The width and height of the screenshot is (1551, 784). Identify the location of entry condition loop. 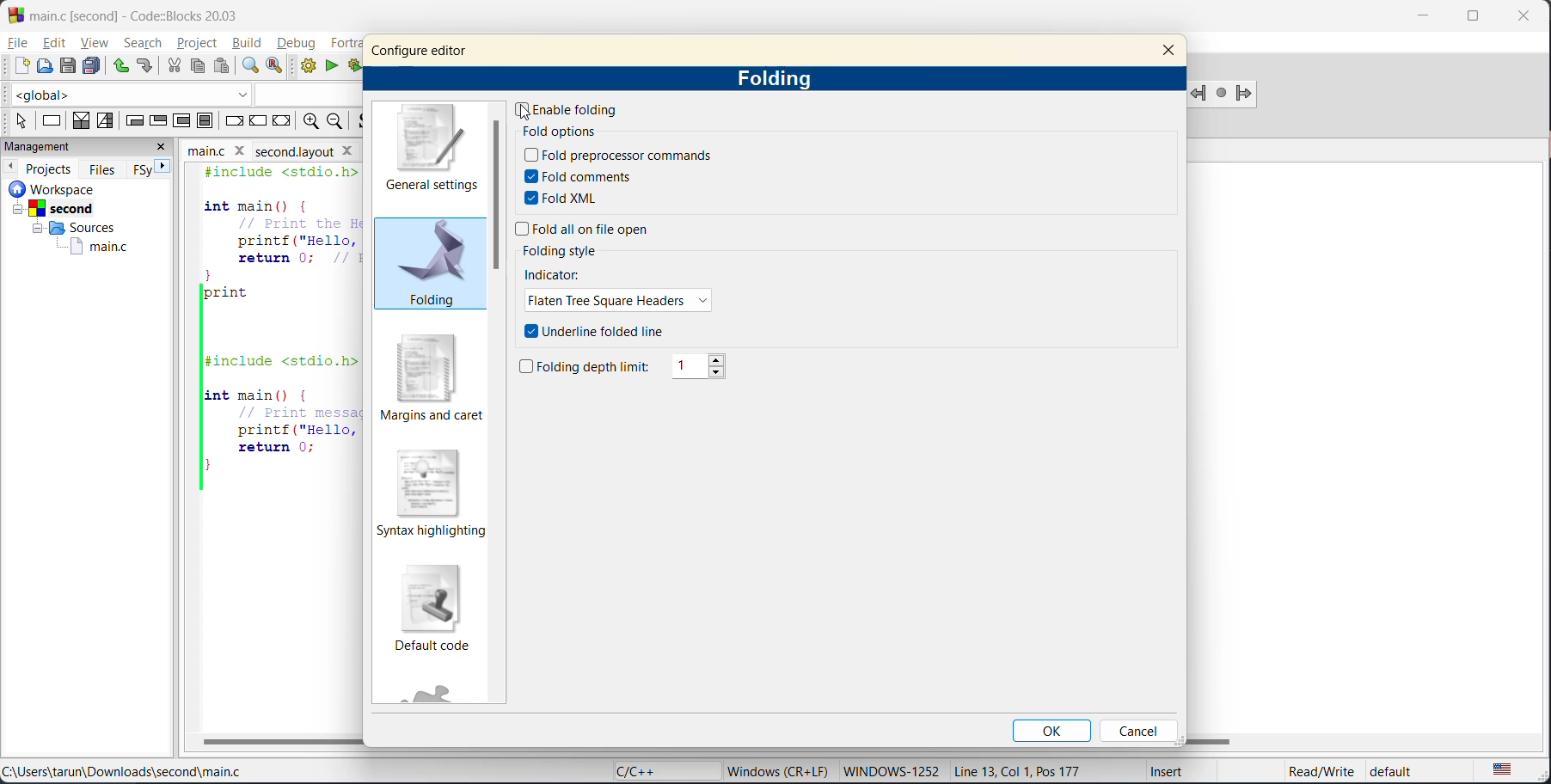
(133, 119).